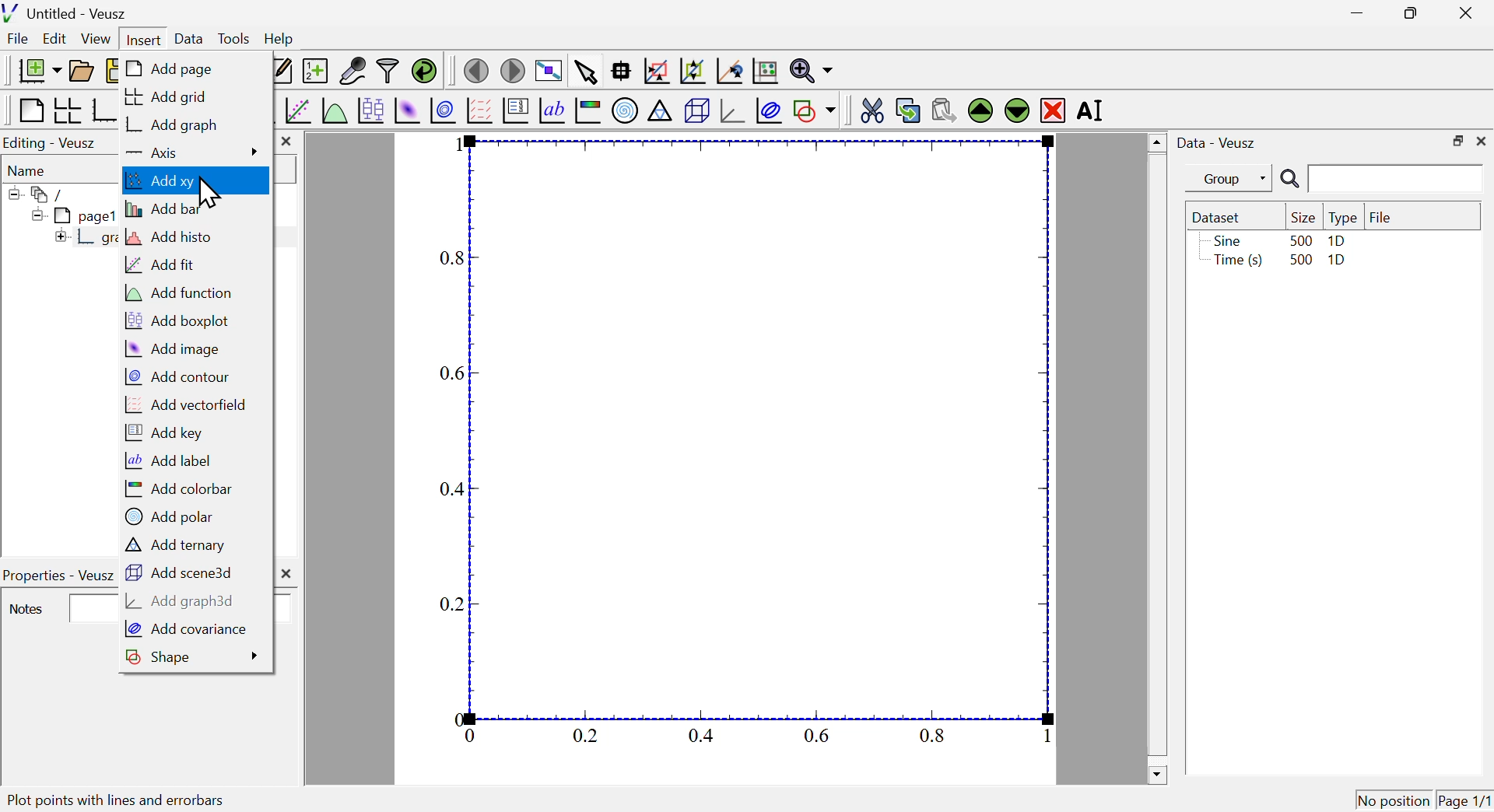  What do you see at coordinates (209, 191) in the screenshot?
I see `cursor` at bounding box center [209, 191].